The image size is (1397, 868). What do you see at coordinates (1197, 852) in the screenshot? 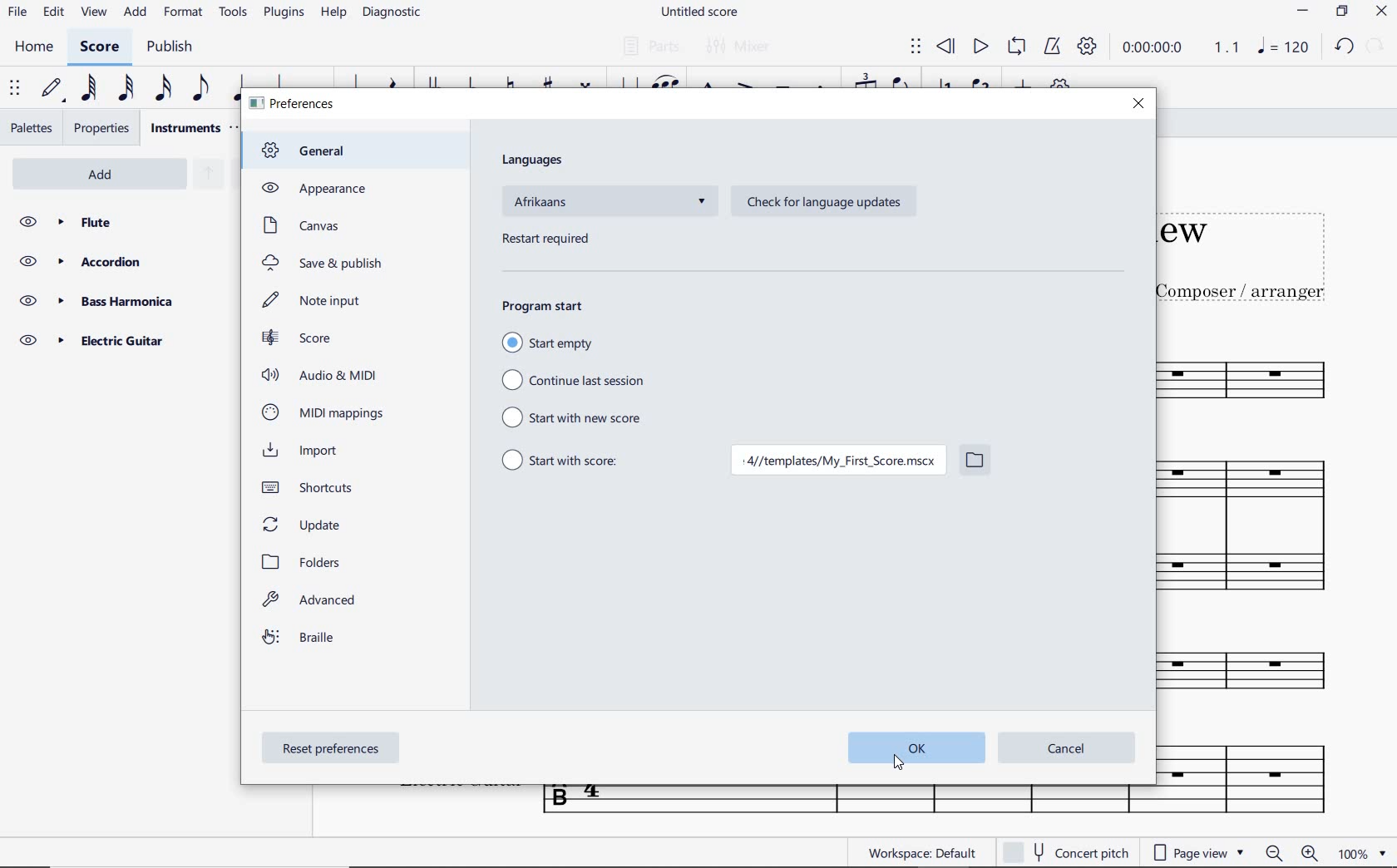
I see `page view` at bounding box center [1197, 852].